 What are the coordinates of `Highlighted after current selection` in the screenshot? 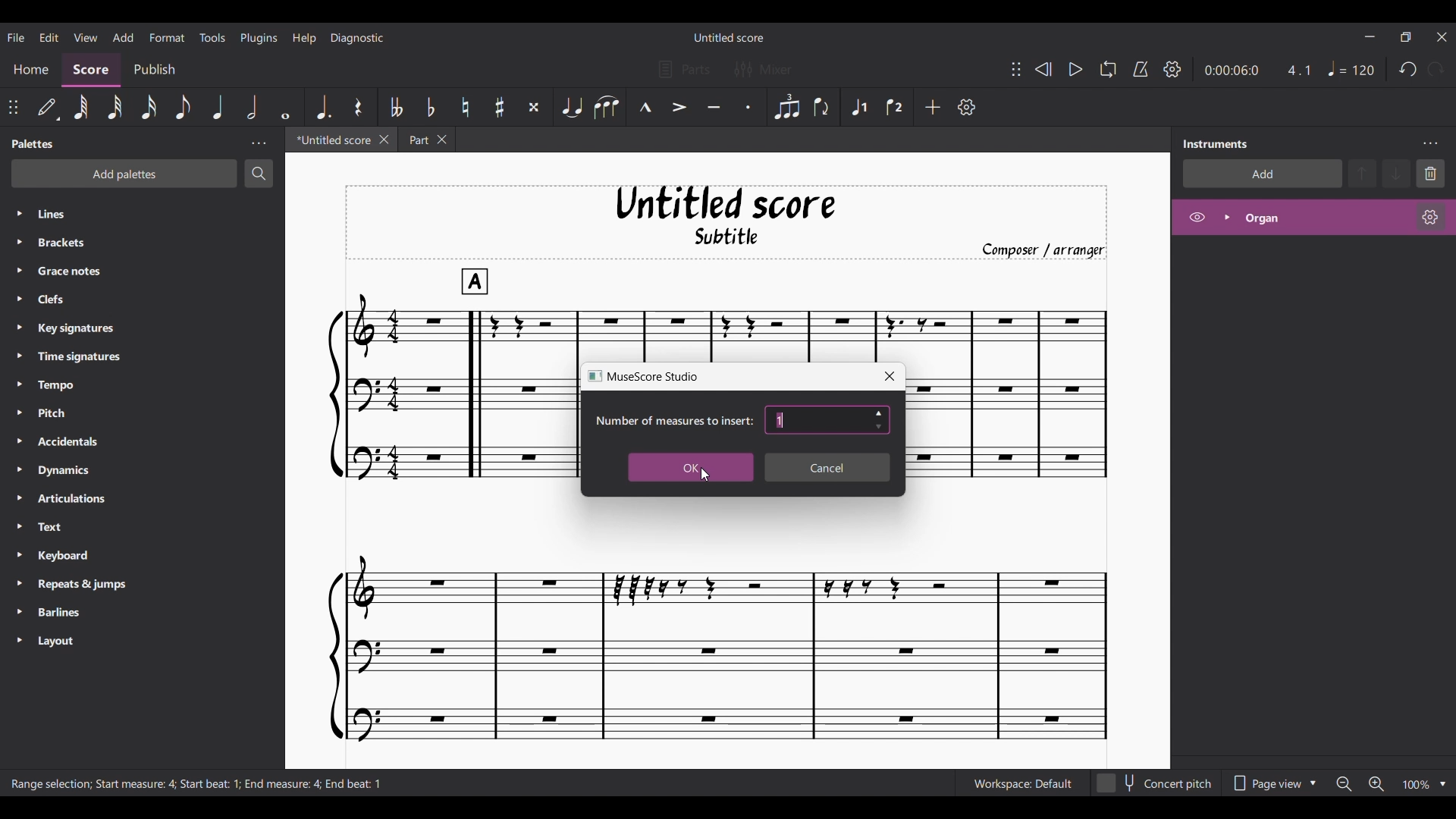 It's located at (1313, 220).